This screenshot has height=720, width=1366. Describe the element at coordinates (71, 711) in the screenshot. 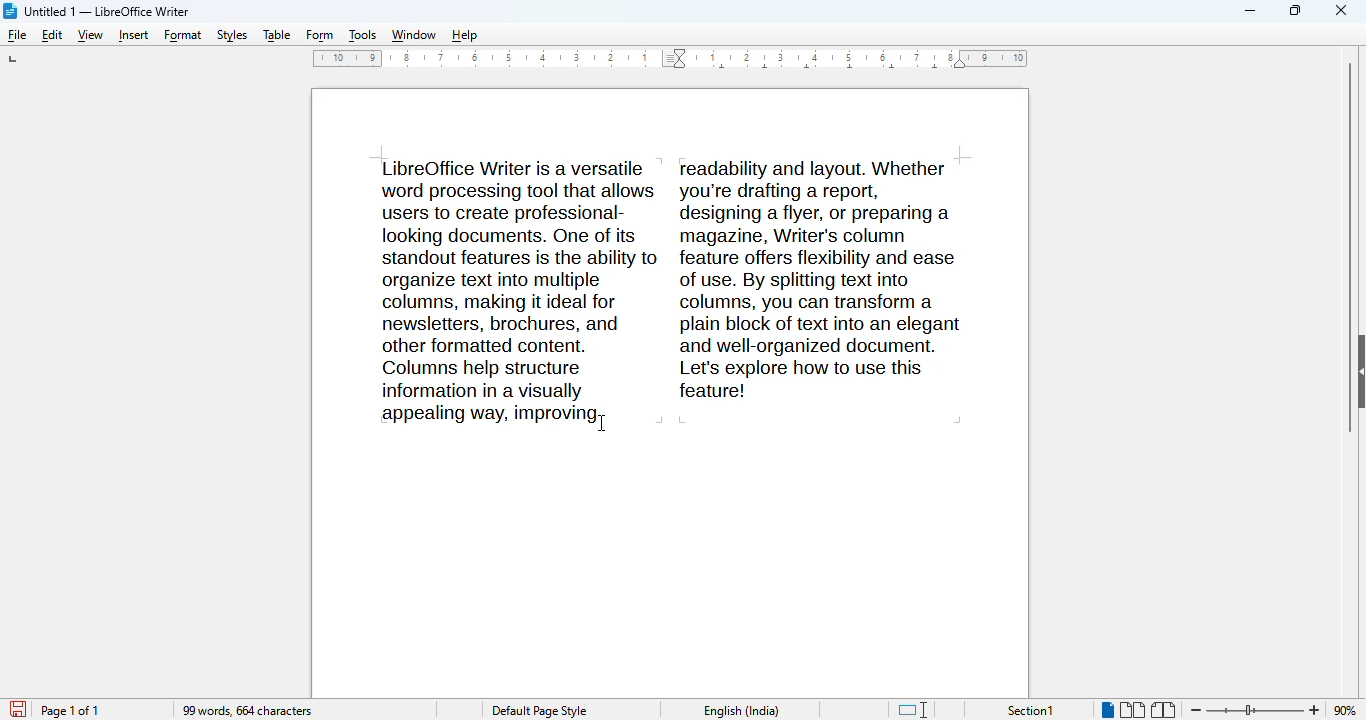

I see `page 1 of 1` at that location.